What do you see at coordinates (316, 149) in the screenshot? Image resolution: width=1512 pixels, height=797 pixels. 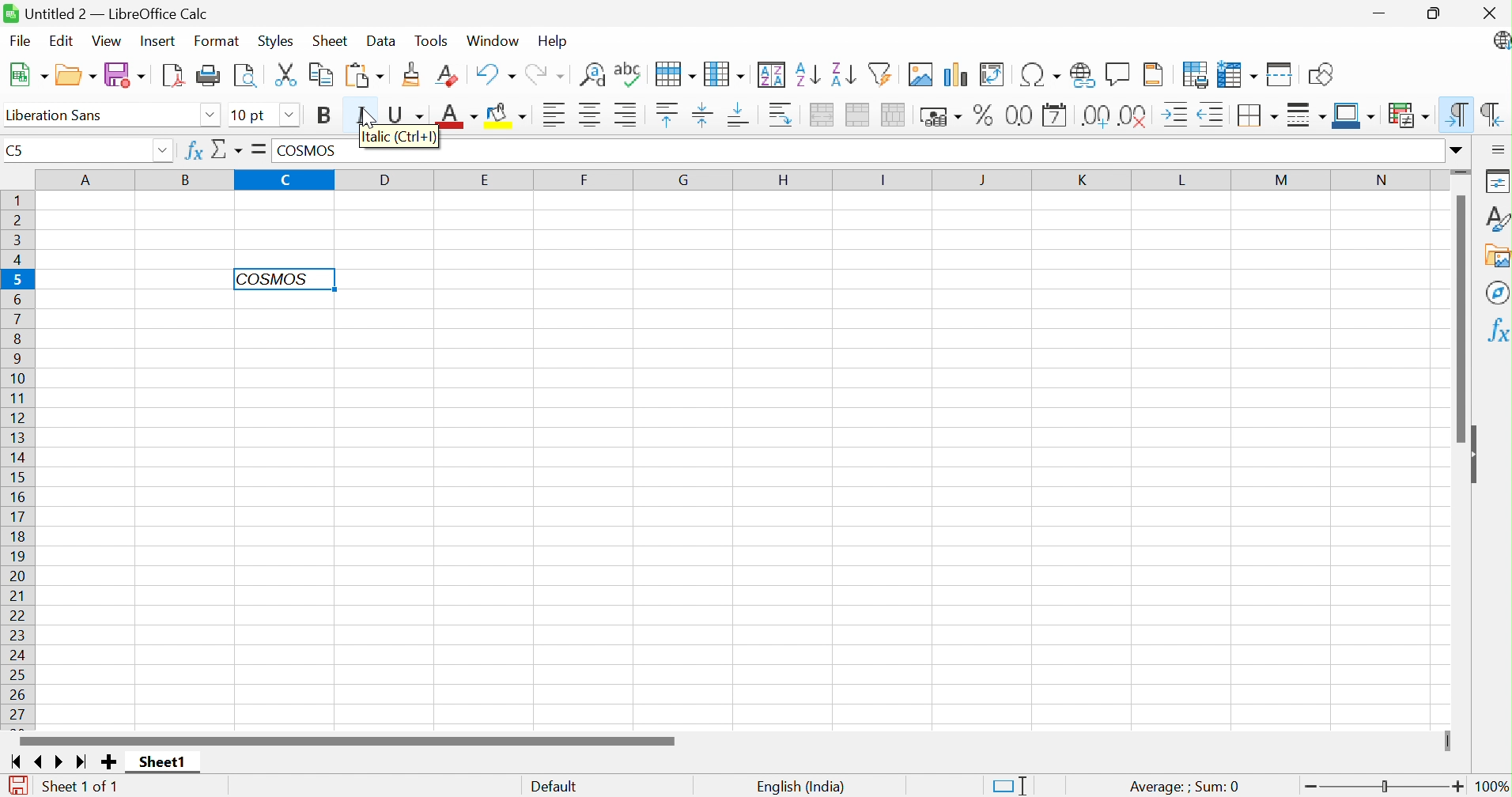 I see `COSMOS` at bounding box center [316, 149].